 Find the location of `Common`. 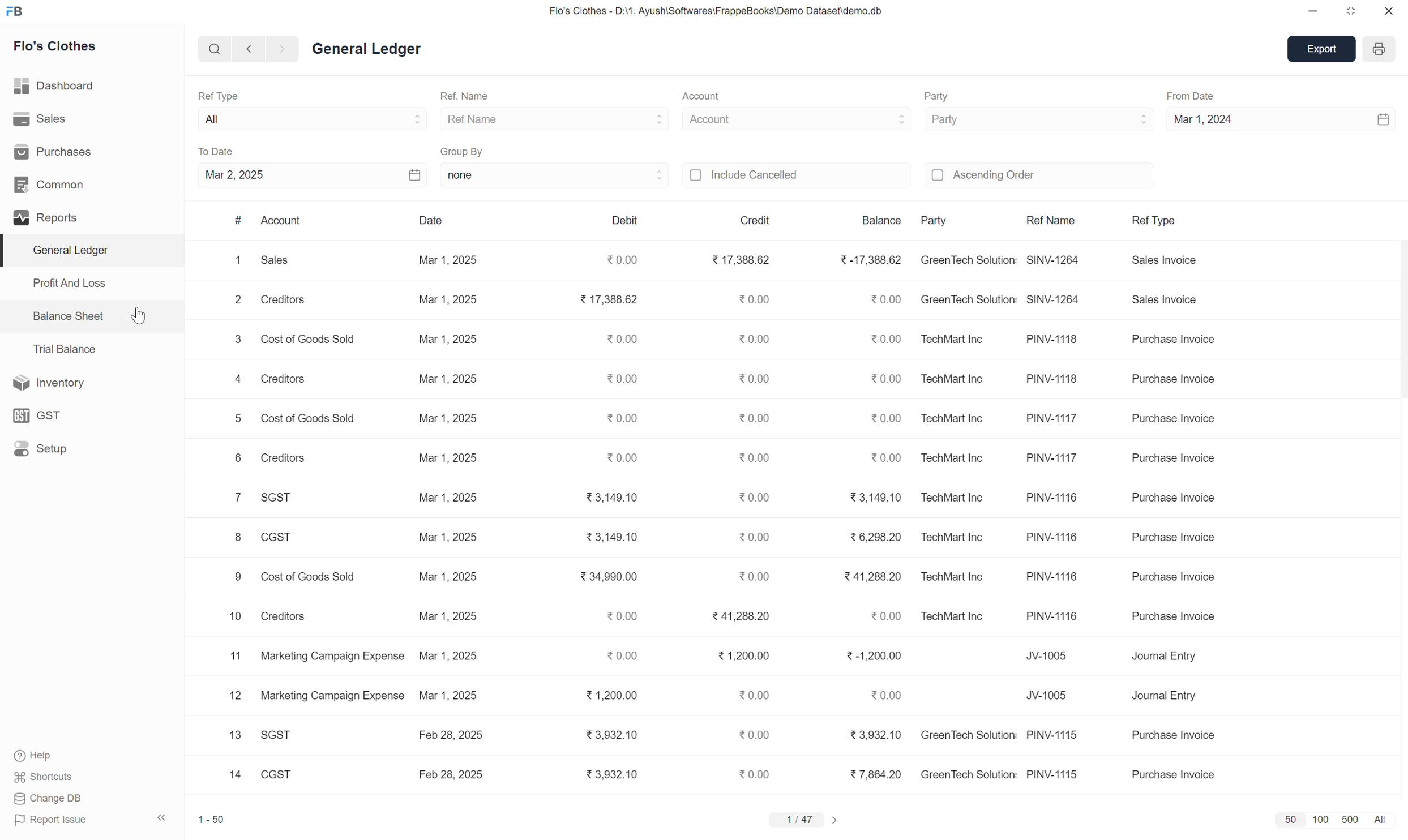

Common is located at coordinates (65, 186).